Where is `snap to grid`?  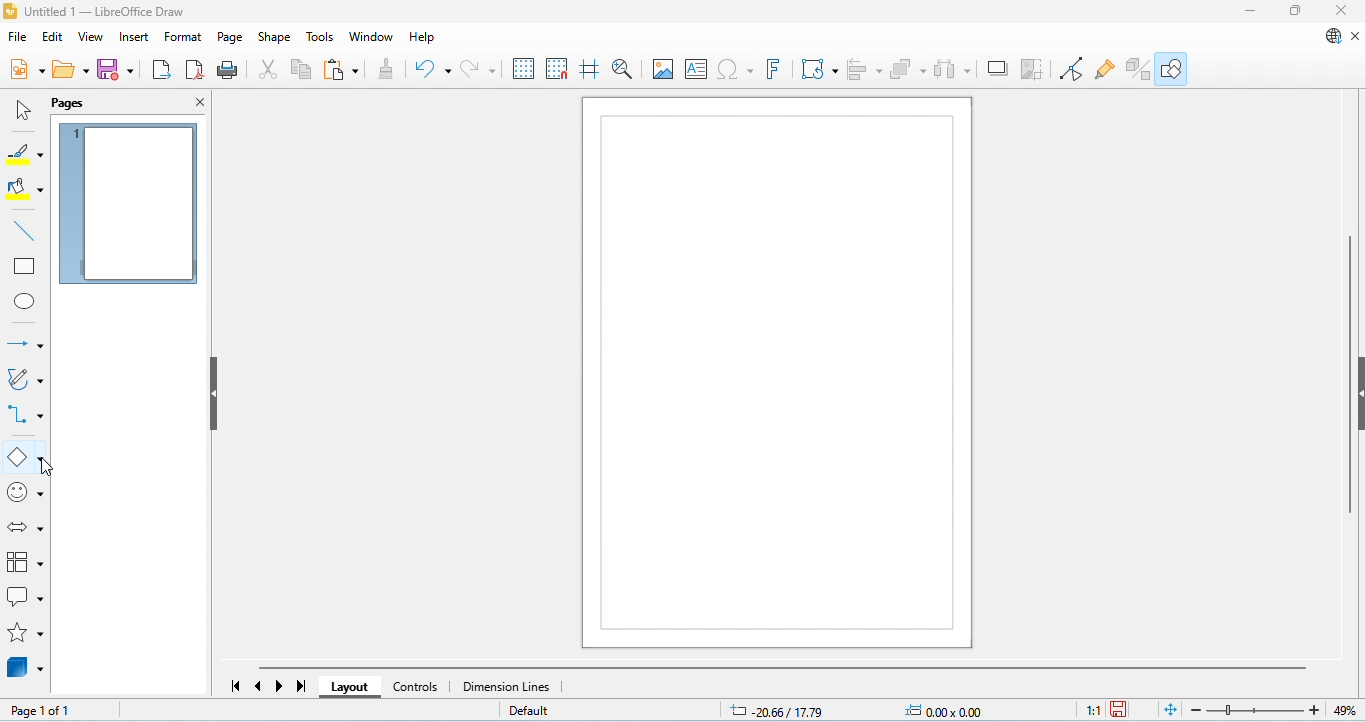
snap to grid is located at coordinates (557, 69).